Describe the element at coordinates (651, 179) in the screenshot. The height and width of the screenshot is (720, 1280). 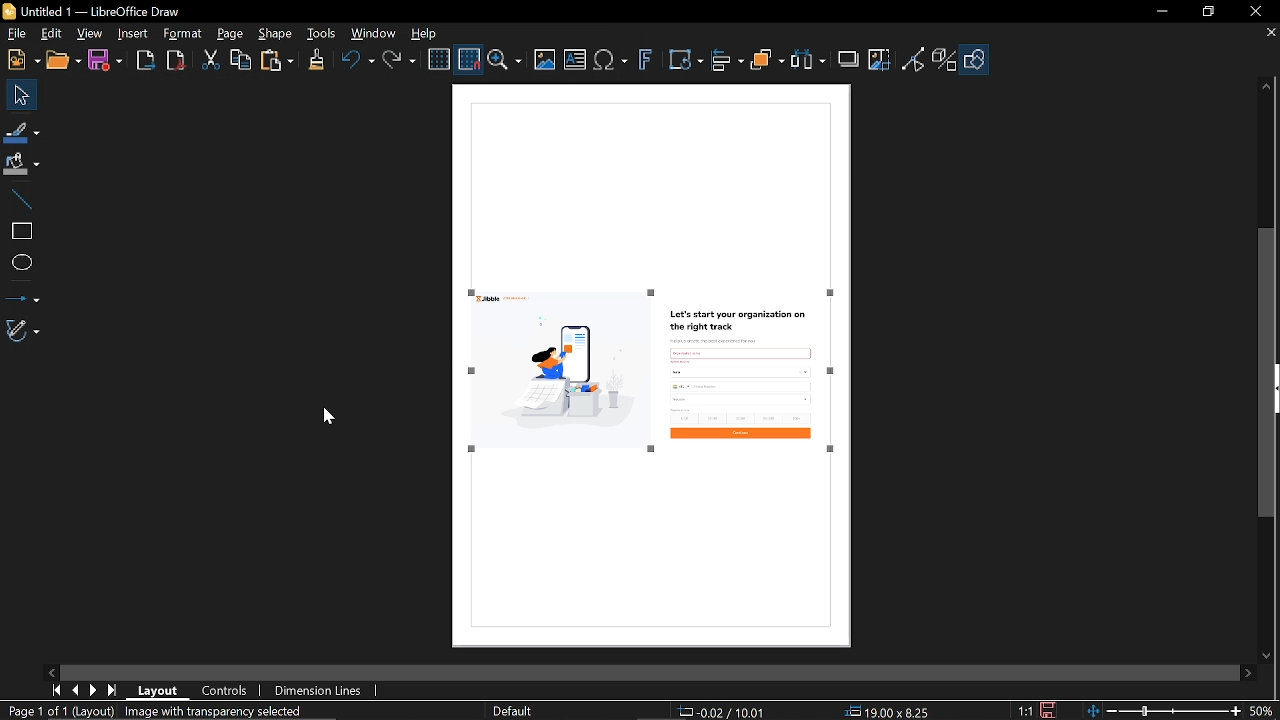
I see `frame` at that location.